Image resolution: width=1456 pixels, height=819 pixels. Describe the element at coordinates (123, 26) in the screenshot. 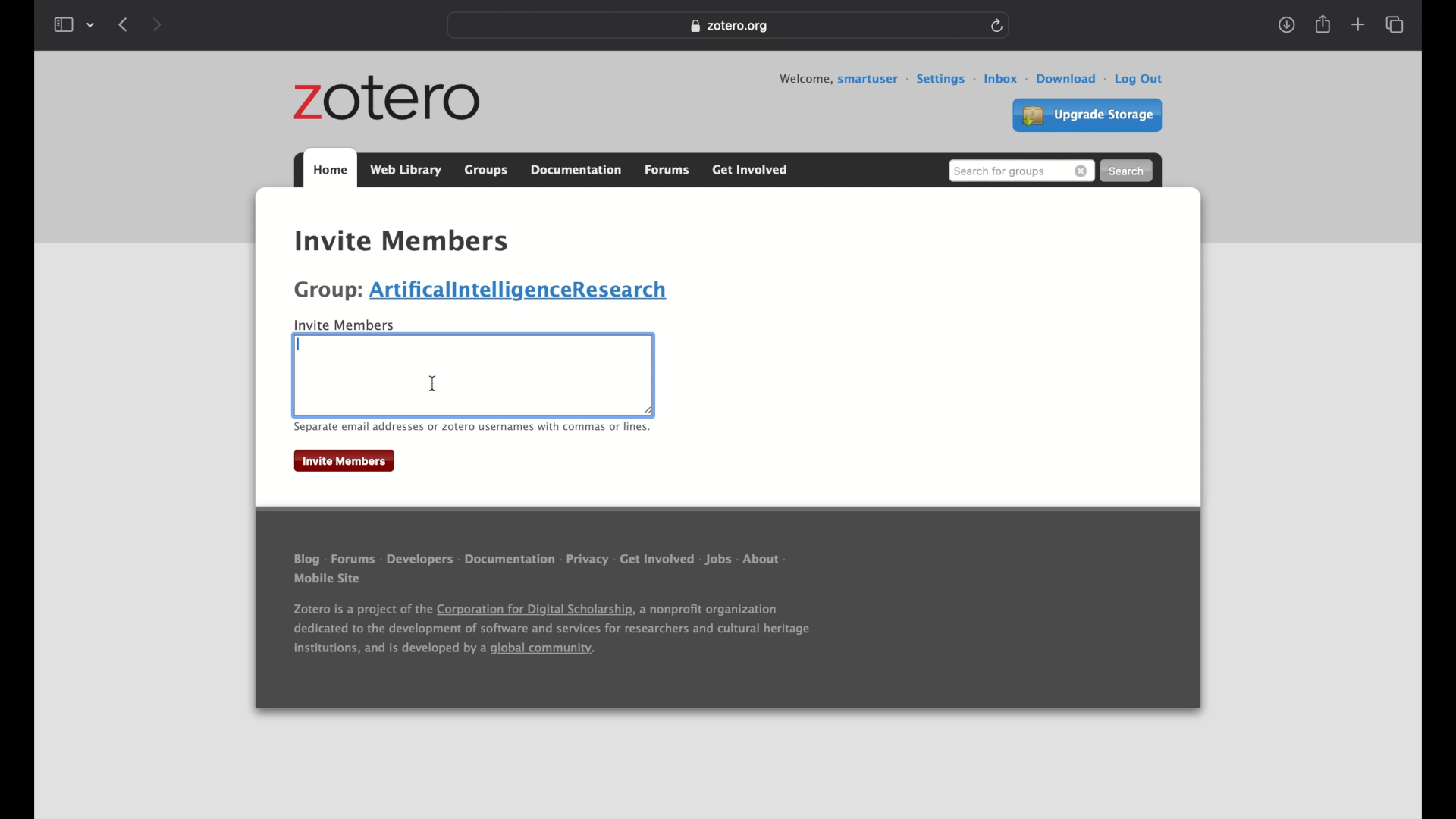

I see `previous` at that location.